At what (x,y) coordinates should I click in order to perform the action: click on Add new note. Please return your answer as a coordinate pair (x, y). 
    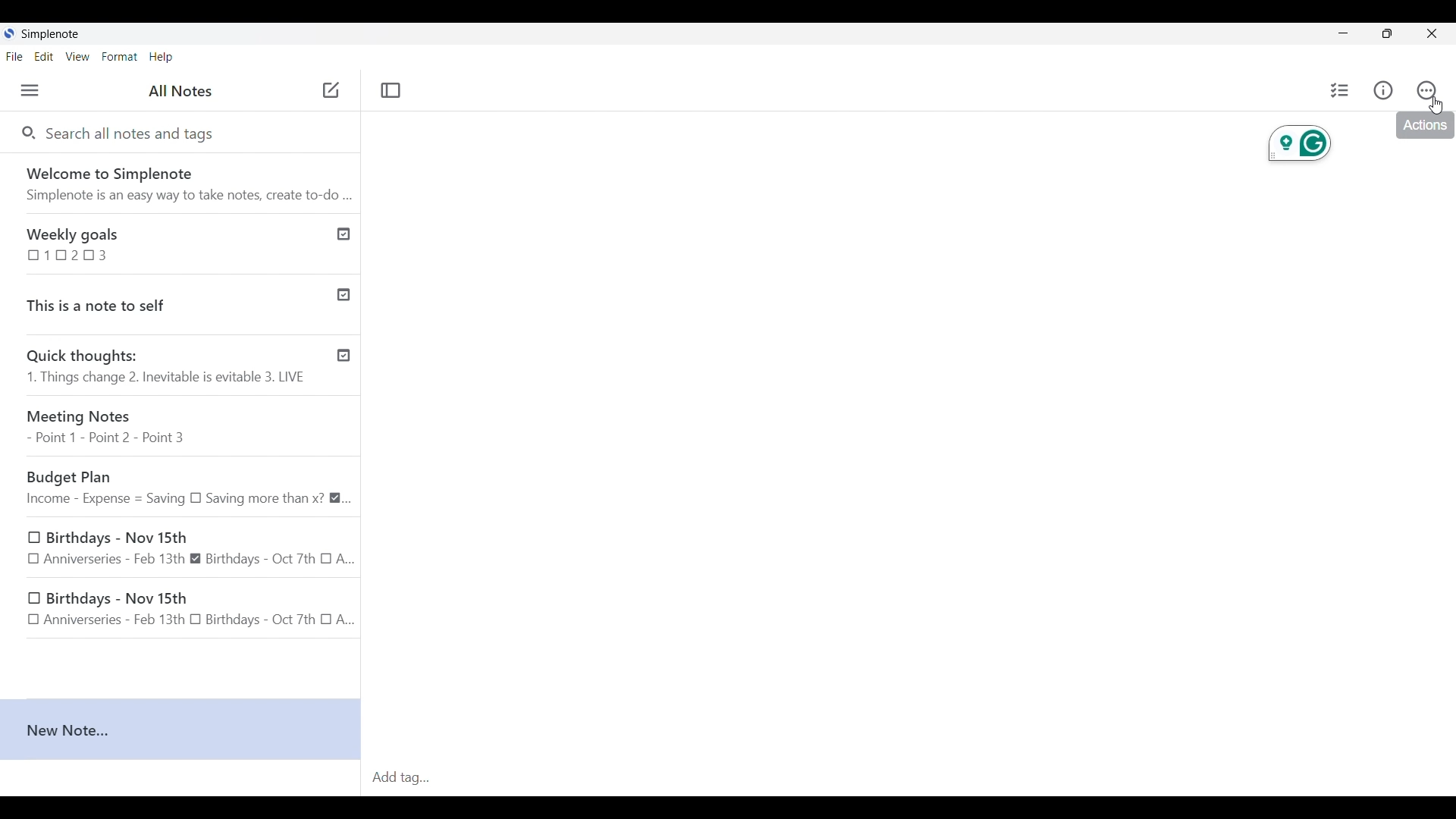
    Looking at the image, I should click on (331, 89).